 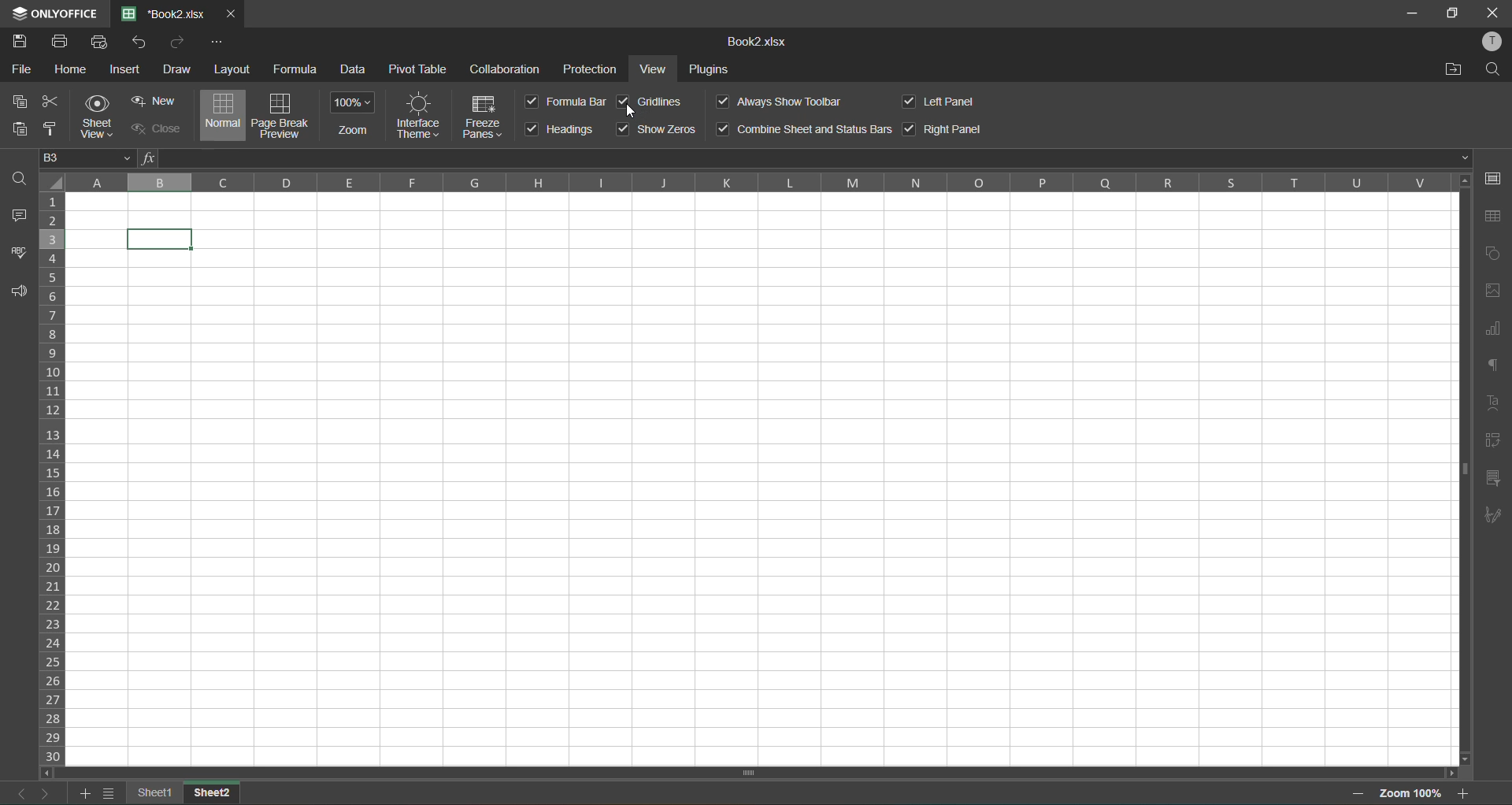 I want to click on maximize, so click(x=1455, y=14).